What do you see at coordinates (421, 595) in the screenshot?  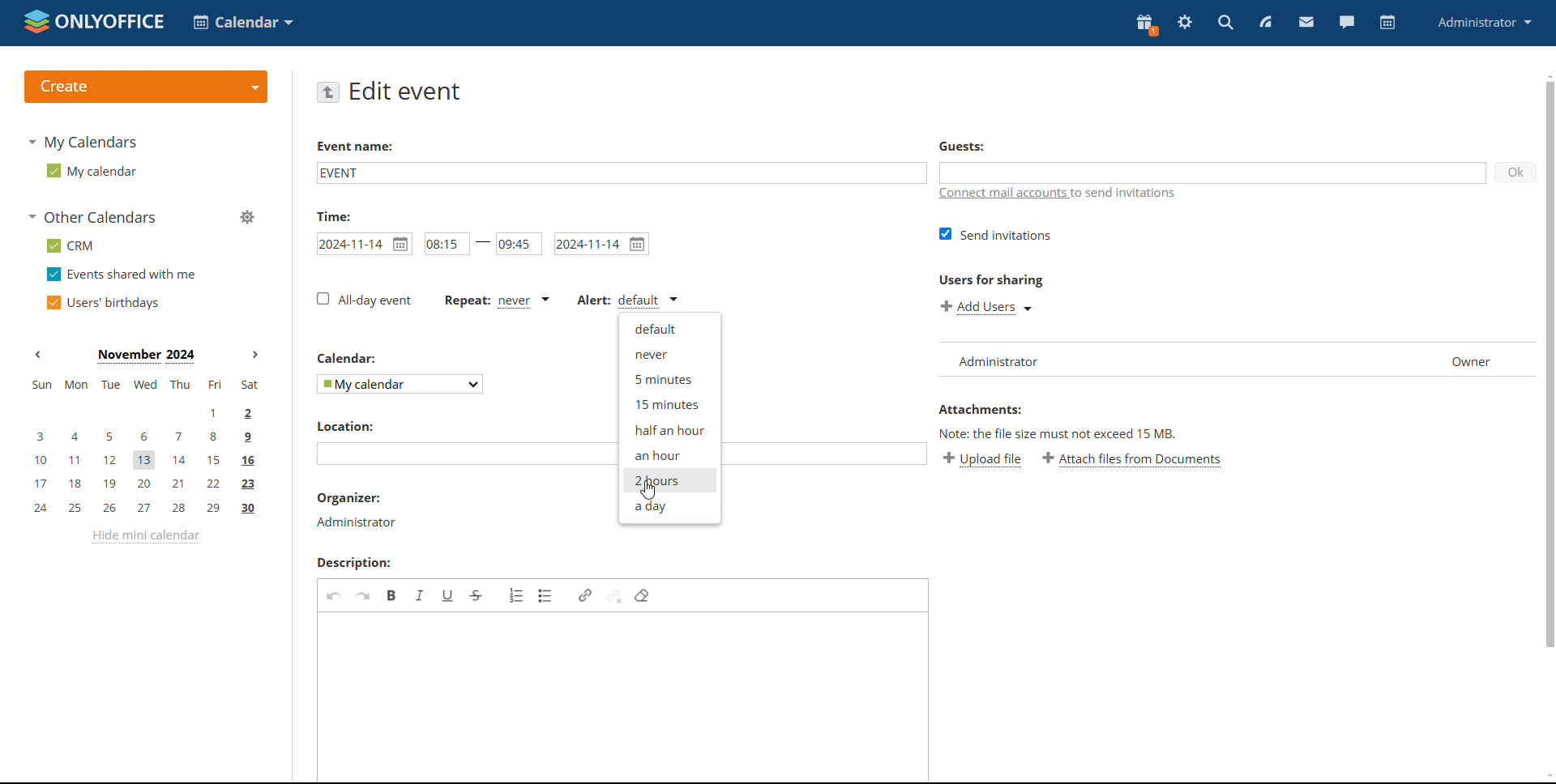 I see `italic` at bounding box center [421, 595].